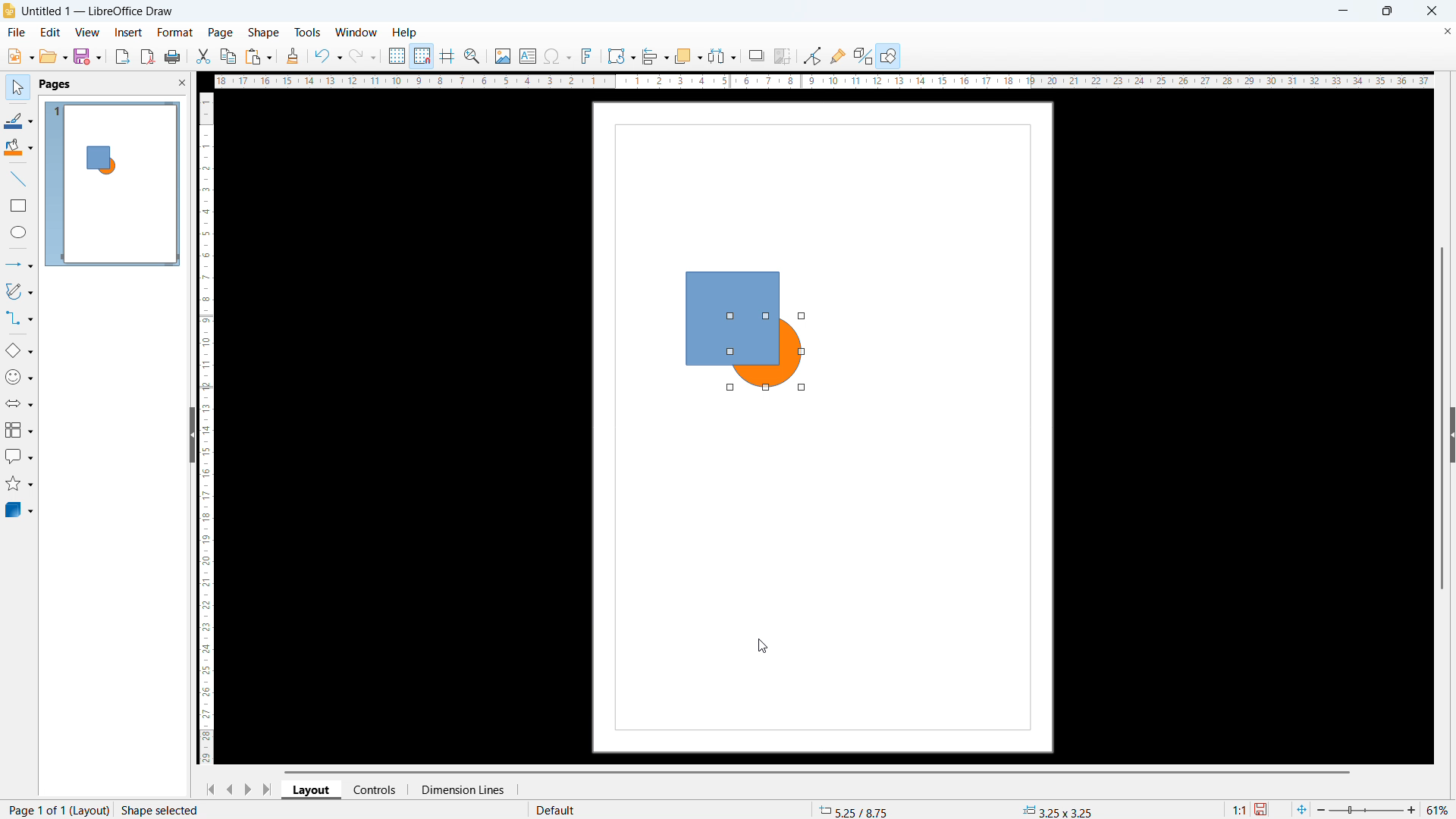 This screenshot has width=1456, height=819. What do you see at coordinates (126, 811) in the screenshot?
I see `Page number ` at bounding box center [126, 811].